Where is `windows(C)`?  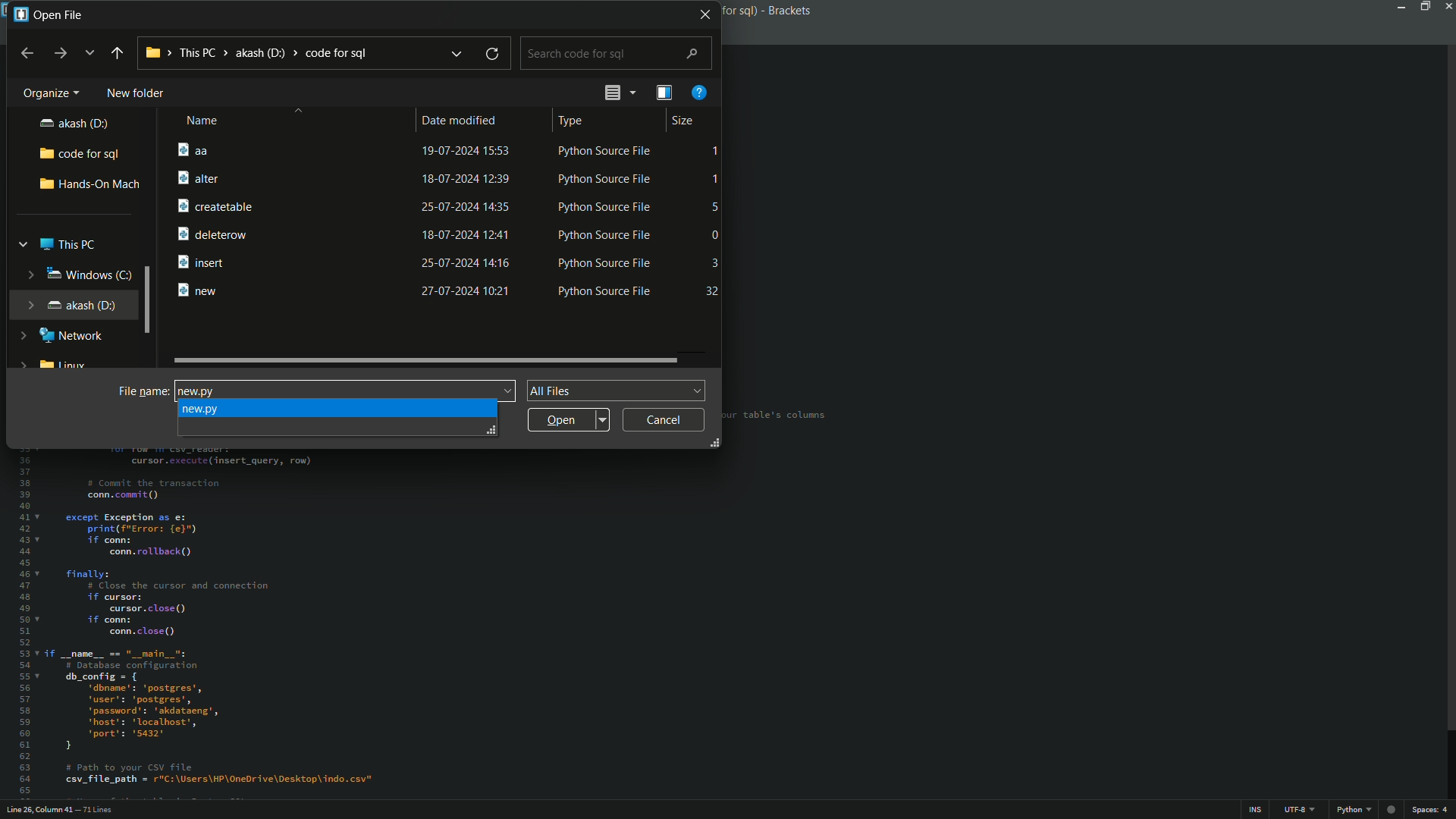
windows(C) is located at coordinates (77, 275).